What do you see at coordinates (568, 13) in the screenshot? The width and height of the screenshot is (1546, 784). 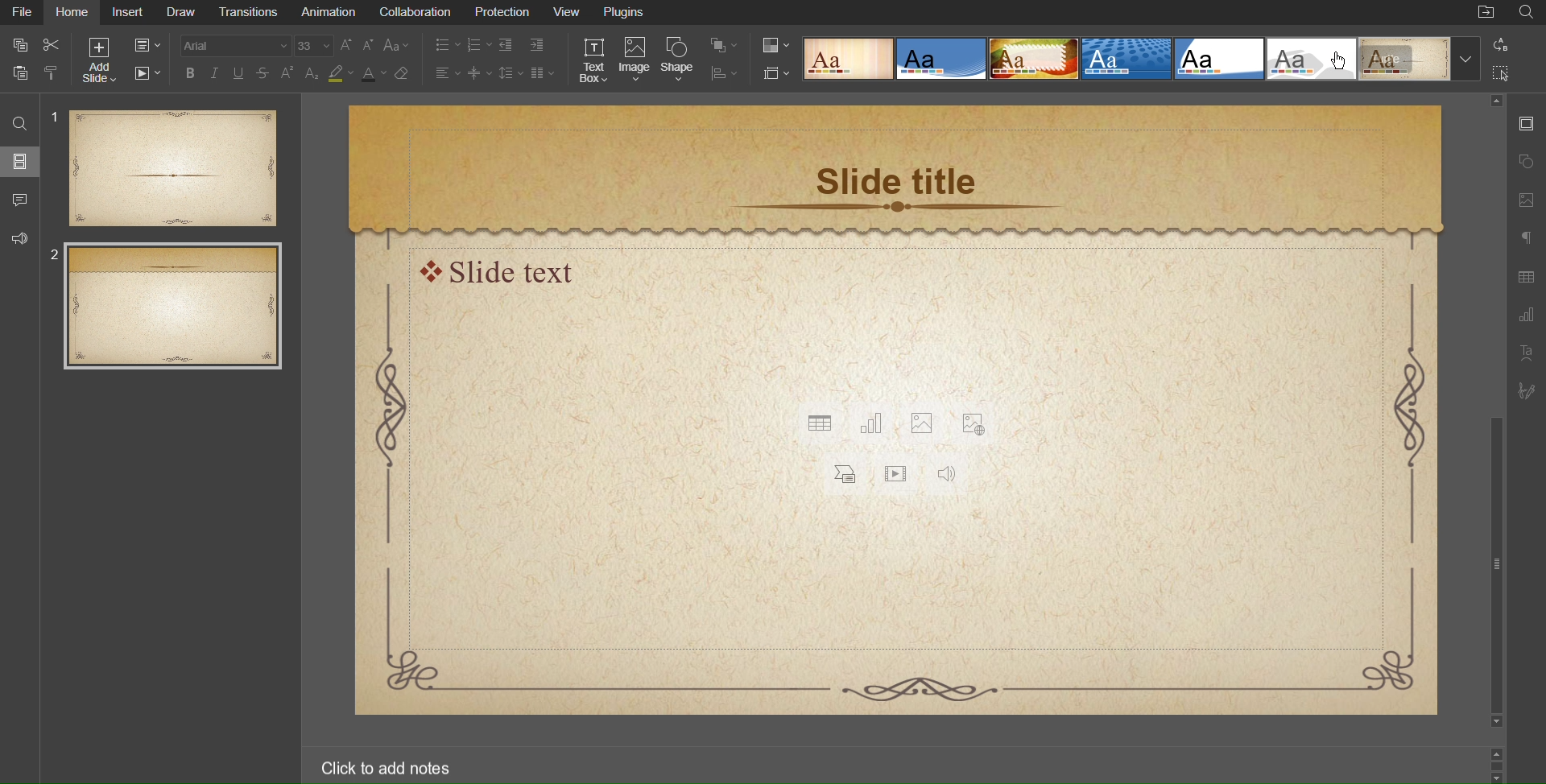 I see `View` at bounding box center [568, 13].